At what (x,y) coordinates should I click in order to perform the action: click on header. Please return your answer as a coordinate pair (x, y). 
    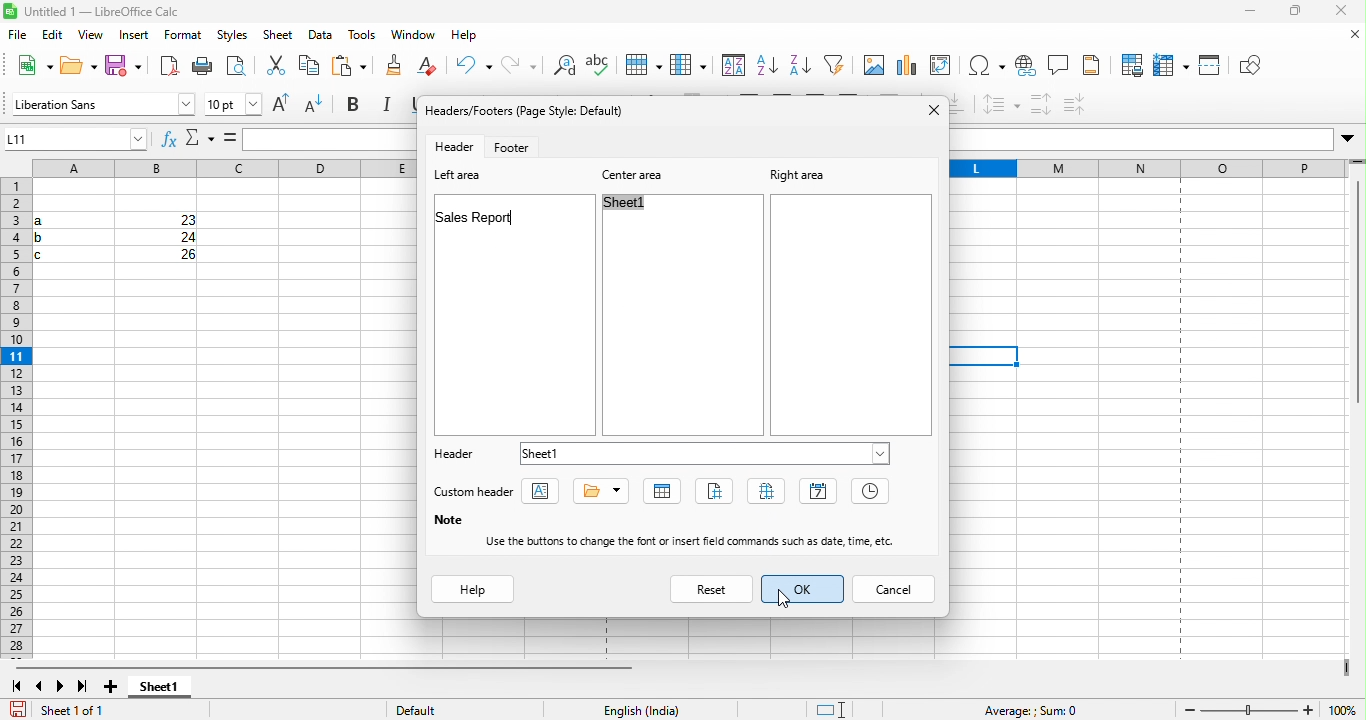
    Looking at the image, I should click on (454, 456).